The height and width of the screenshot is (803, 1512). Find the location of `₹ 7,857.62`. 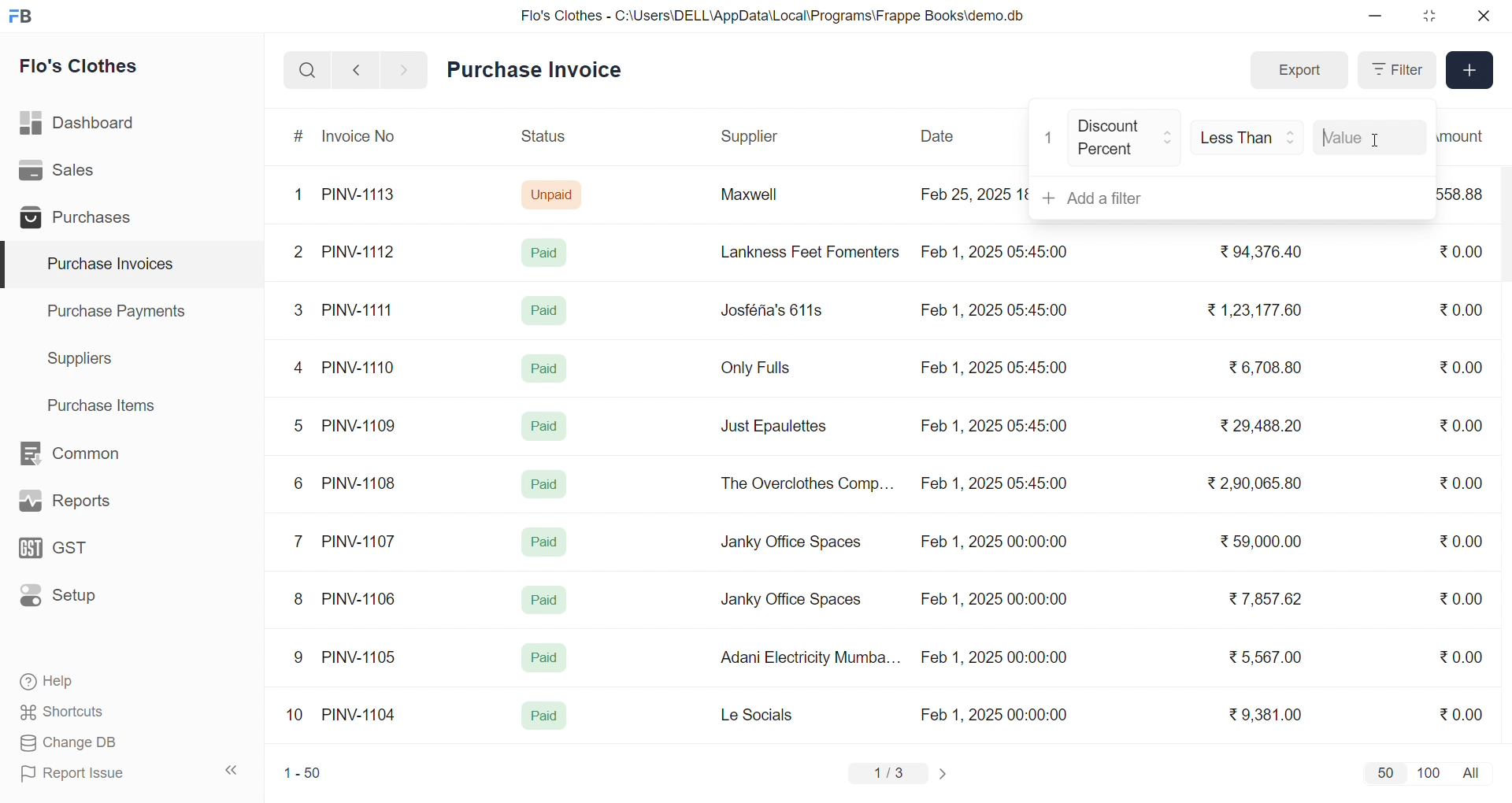

₹ 7,857.62 is located at coordinates (1267, 599).